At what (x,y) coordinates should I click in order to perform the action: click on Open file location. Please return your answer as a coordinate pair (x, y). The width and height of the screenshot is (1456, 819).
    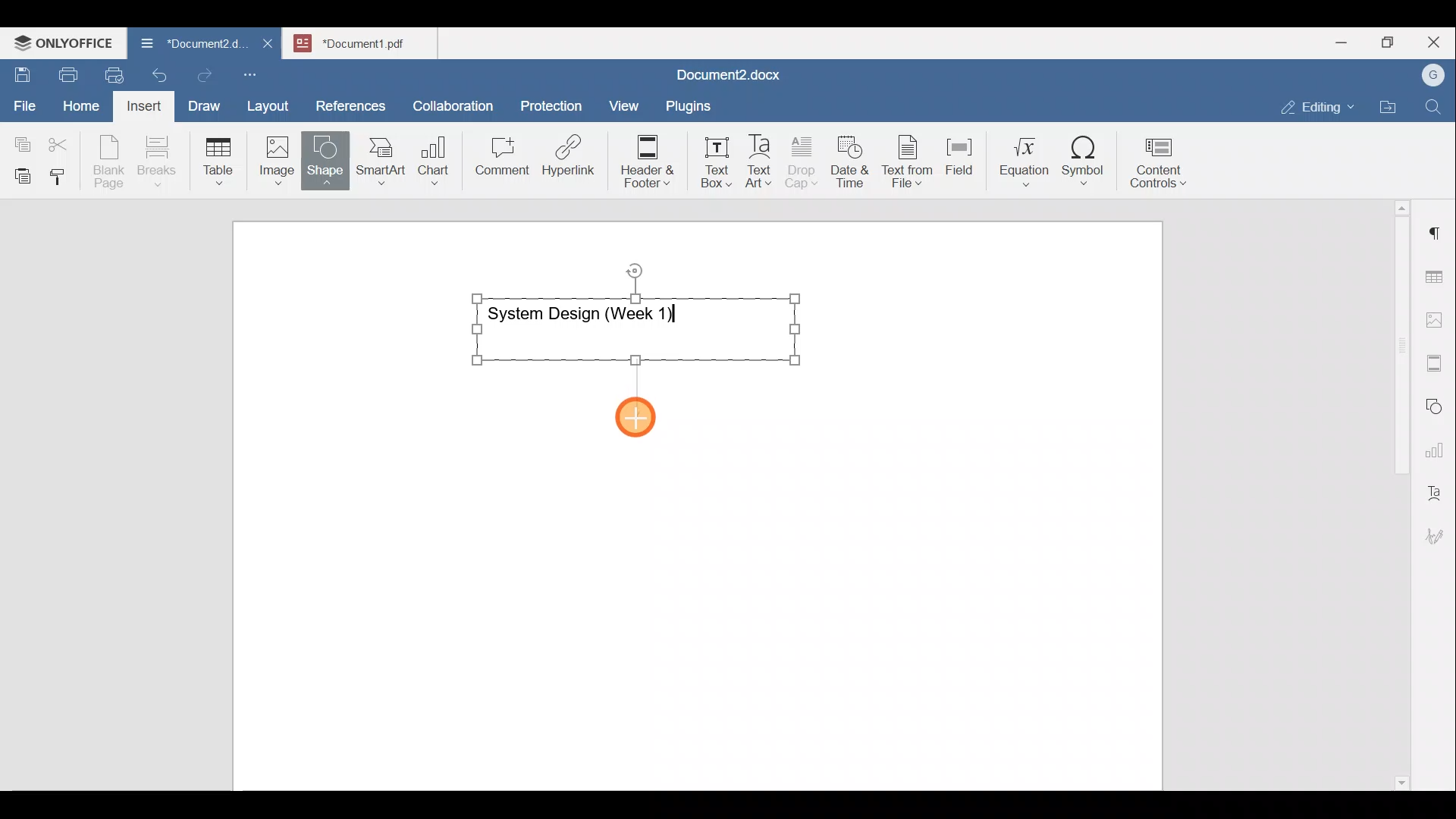
    Looking at the image, I should click on (1392, 108).